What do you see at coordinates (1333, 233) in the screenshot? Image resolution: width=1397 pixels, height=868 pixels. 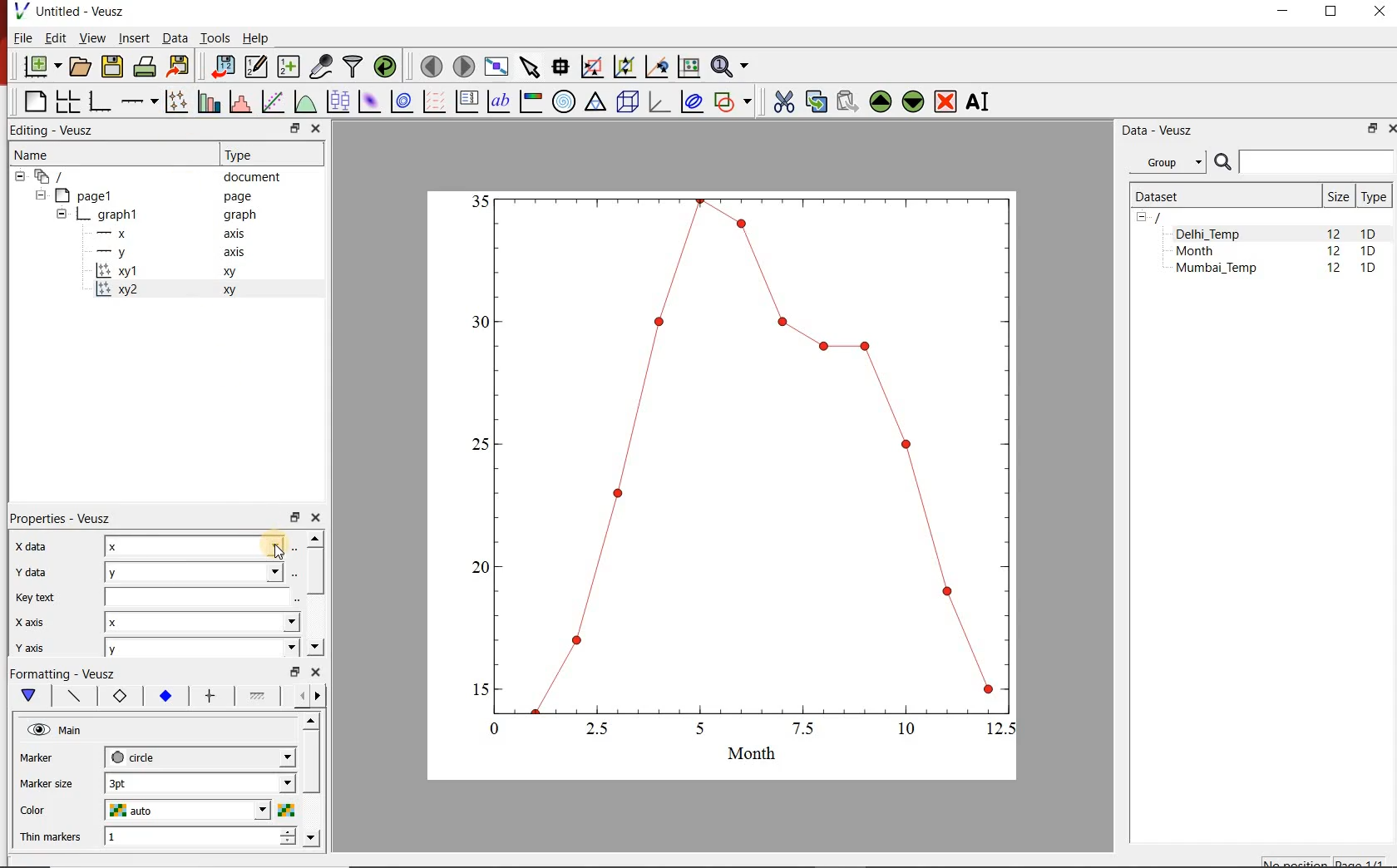 I see `12` at bounding box center [1333, 233].